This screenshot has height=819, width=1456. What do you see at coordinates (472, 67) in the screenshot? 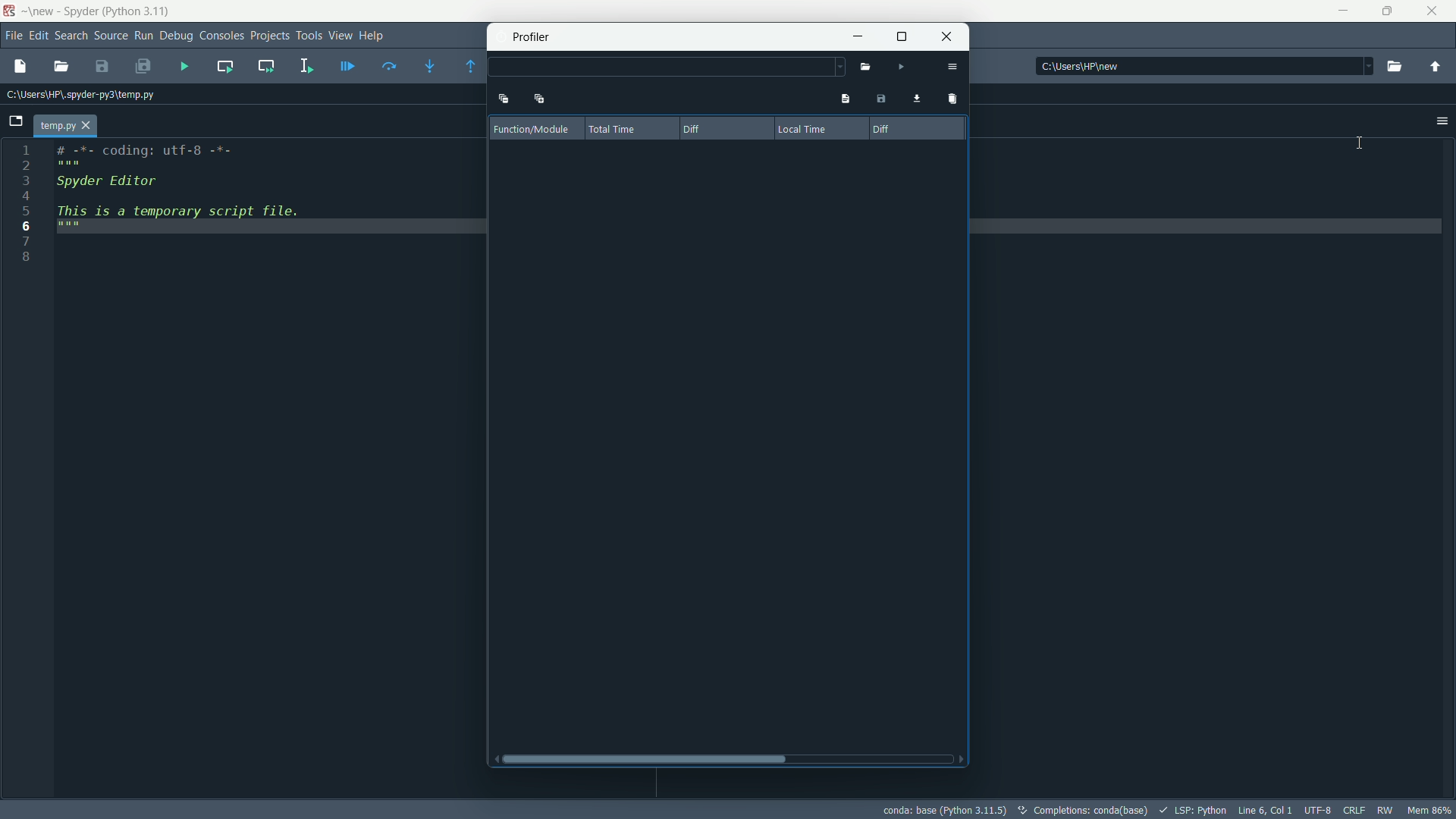
I see `continue execution until next function` at bounding box center [472, 67].